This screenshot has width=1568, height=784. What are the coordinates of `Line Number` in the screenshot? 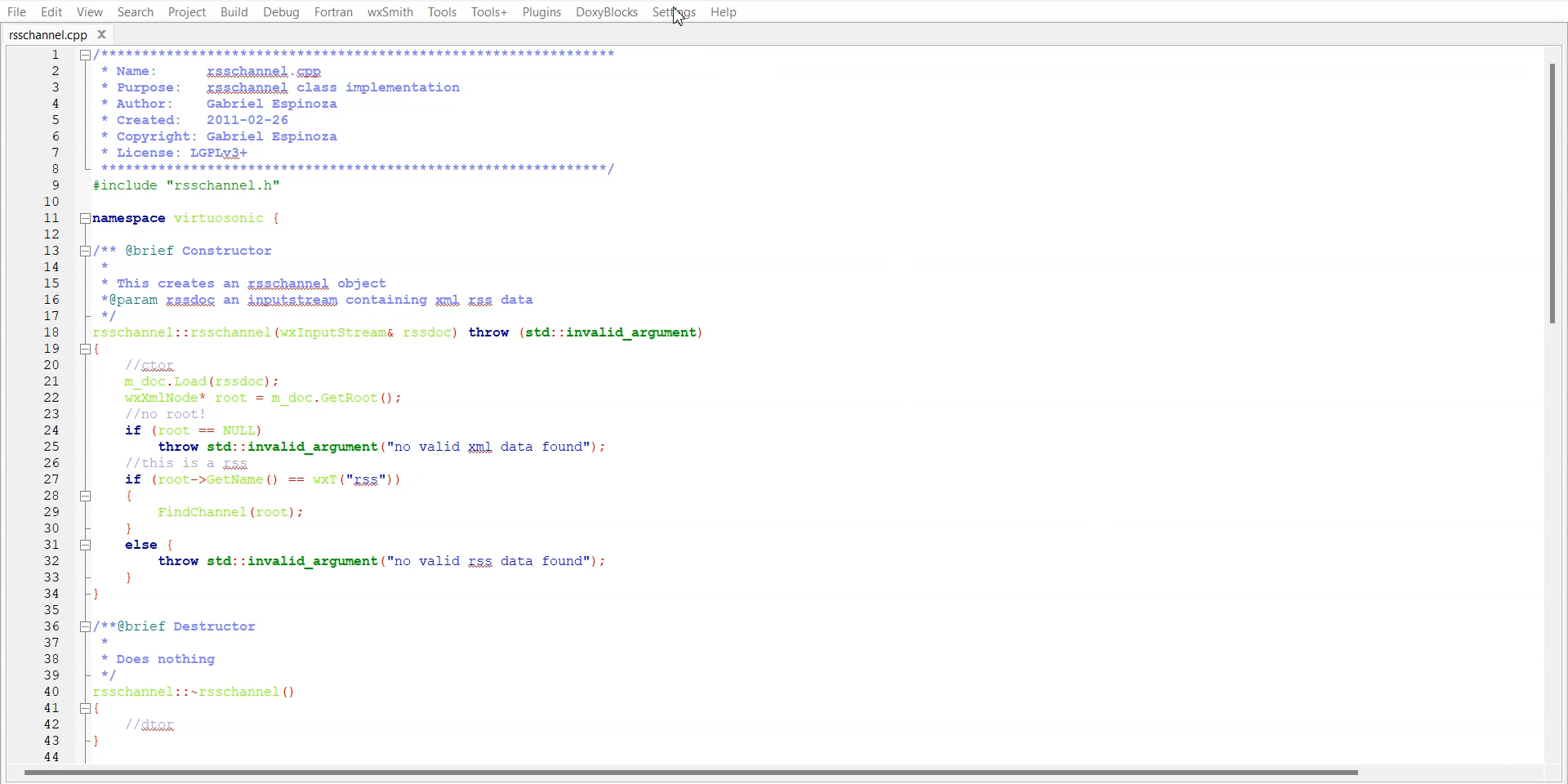 It's located at (39, 406).